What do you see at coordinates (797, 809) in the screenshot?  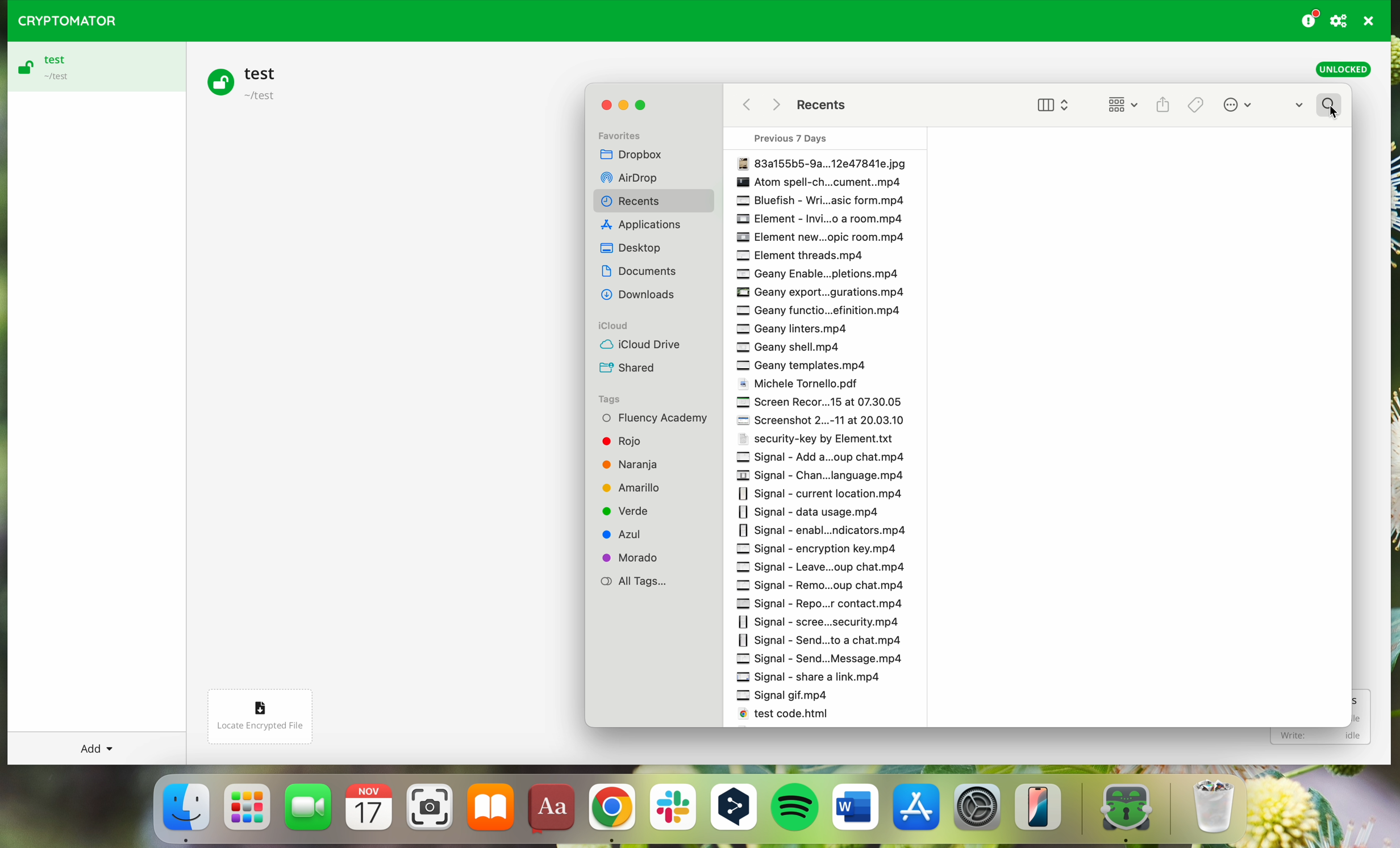 I see `Spotify` at bounding box center [797, 809].